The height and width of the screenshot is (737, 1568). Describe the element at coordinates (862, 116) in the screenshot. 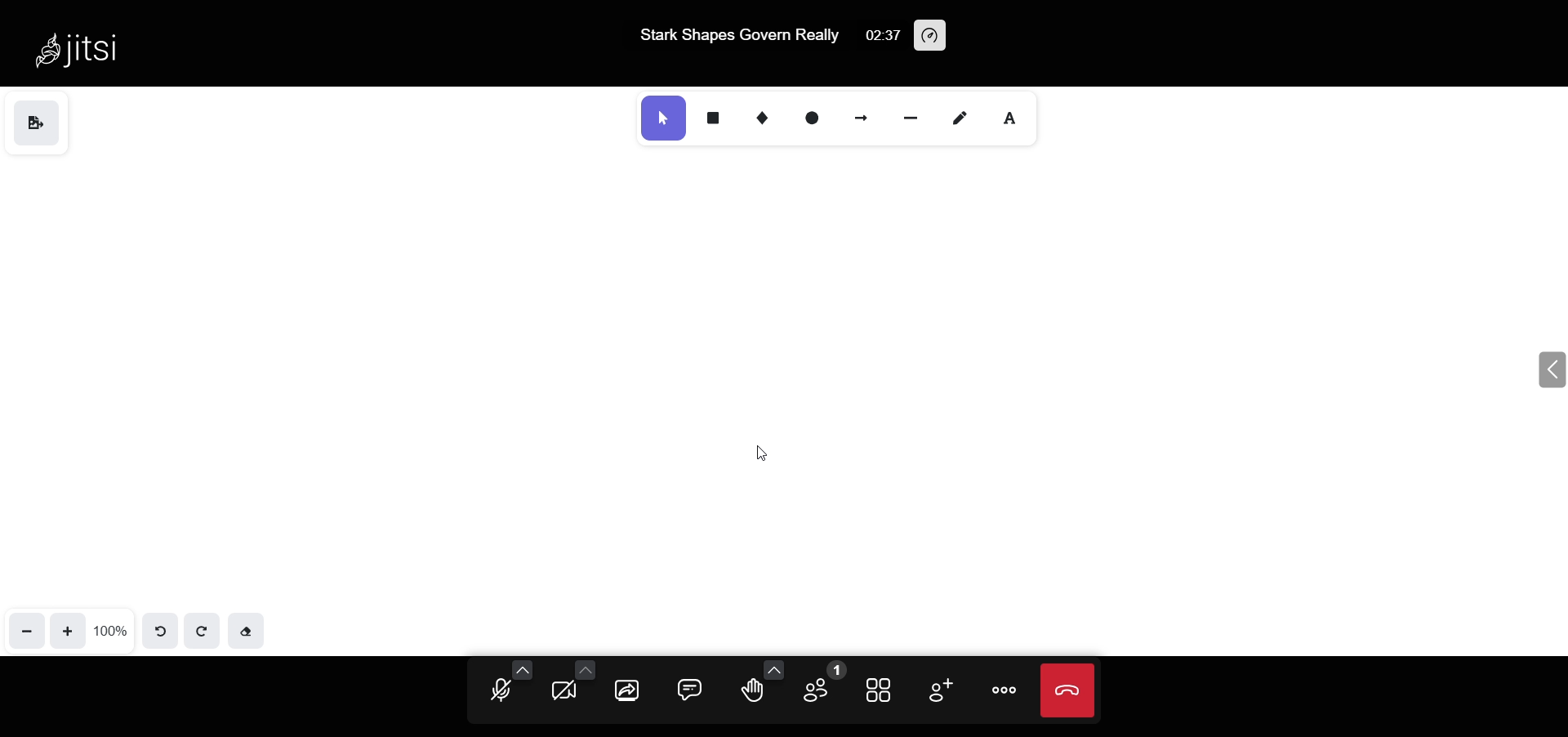

I see `arrow` at that location.